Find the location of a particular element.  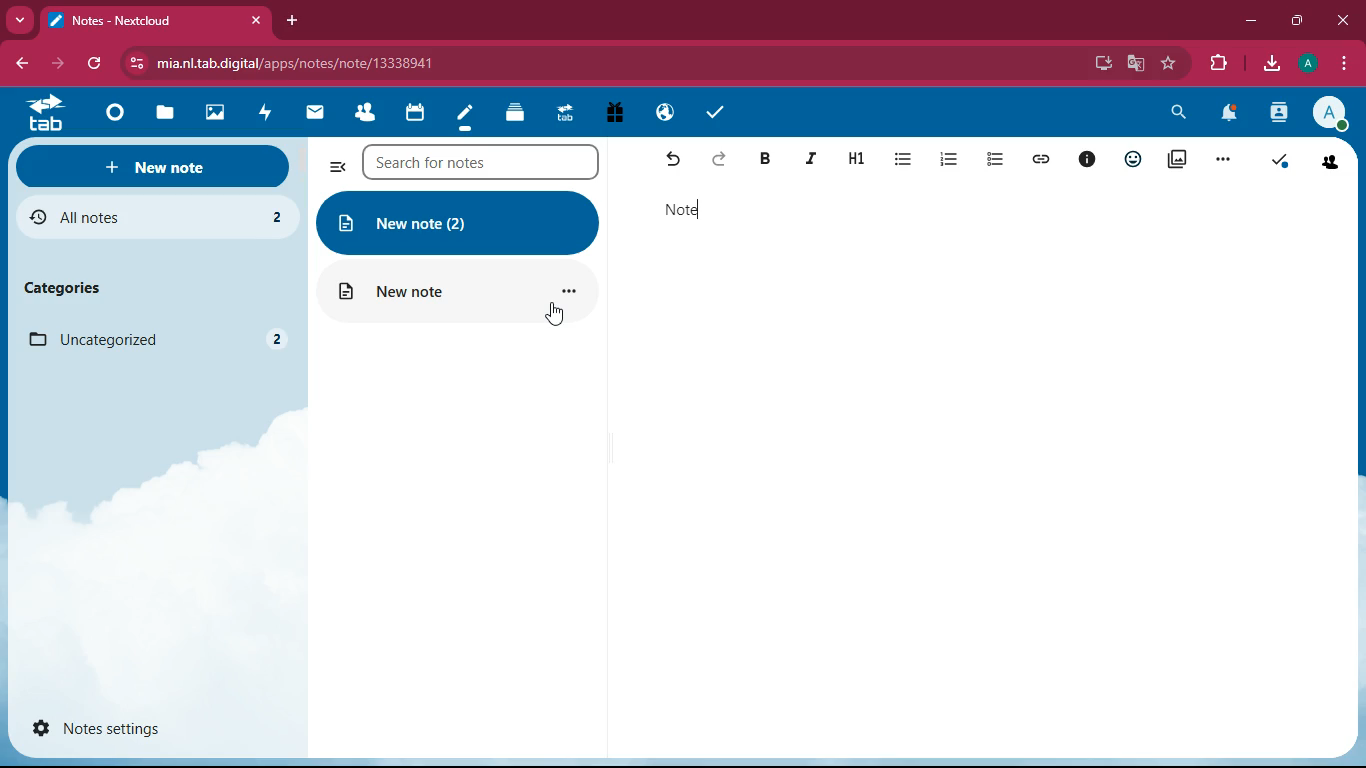

profile is located at coordinates (1330, 112).